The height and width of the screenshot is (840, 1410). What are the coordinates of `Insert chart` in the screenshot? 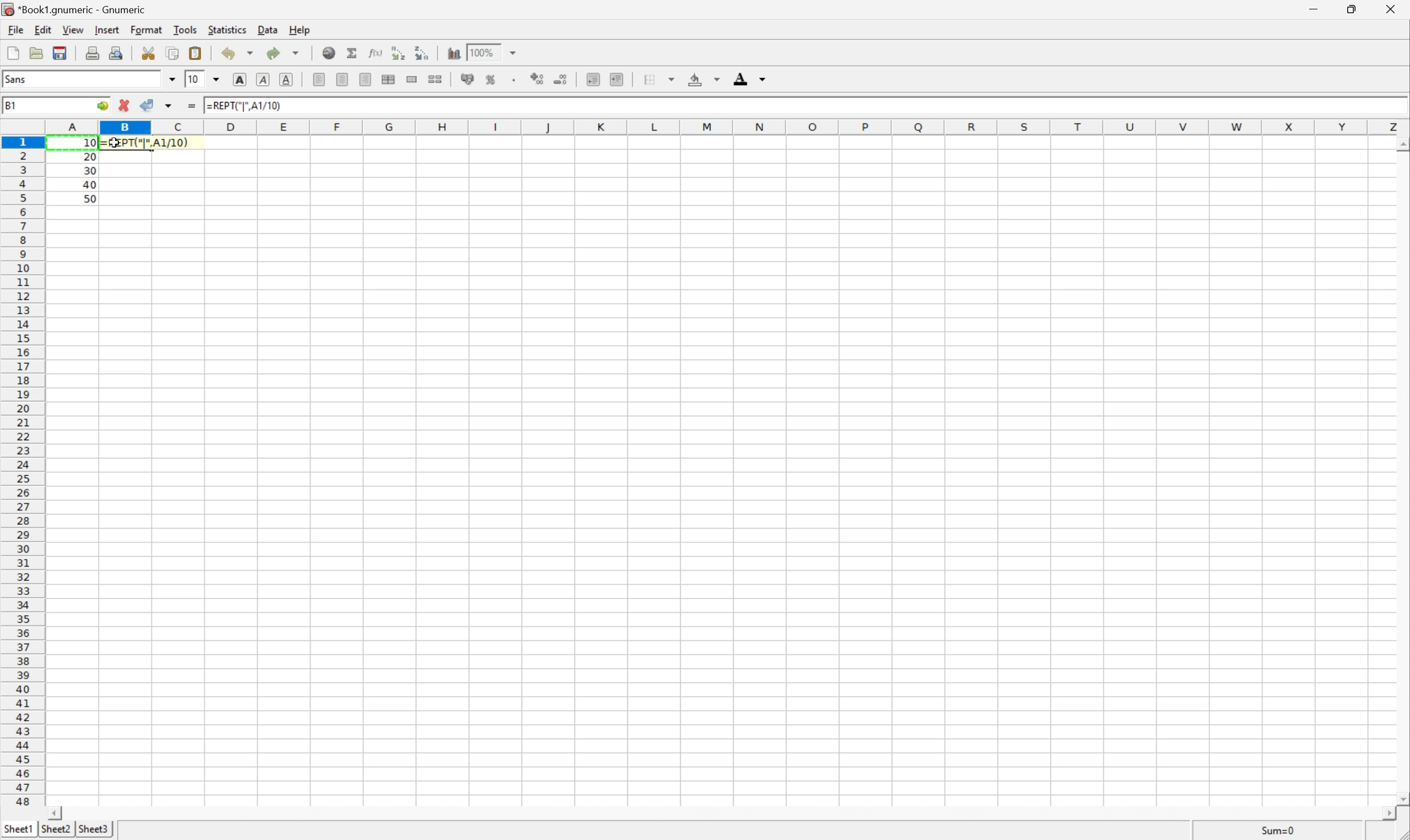 It's located at (456, 53).